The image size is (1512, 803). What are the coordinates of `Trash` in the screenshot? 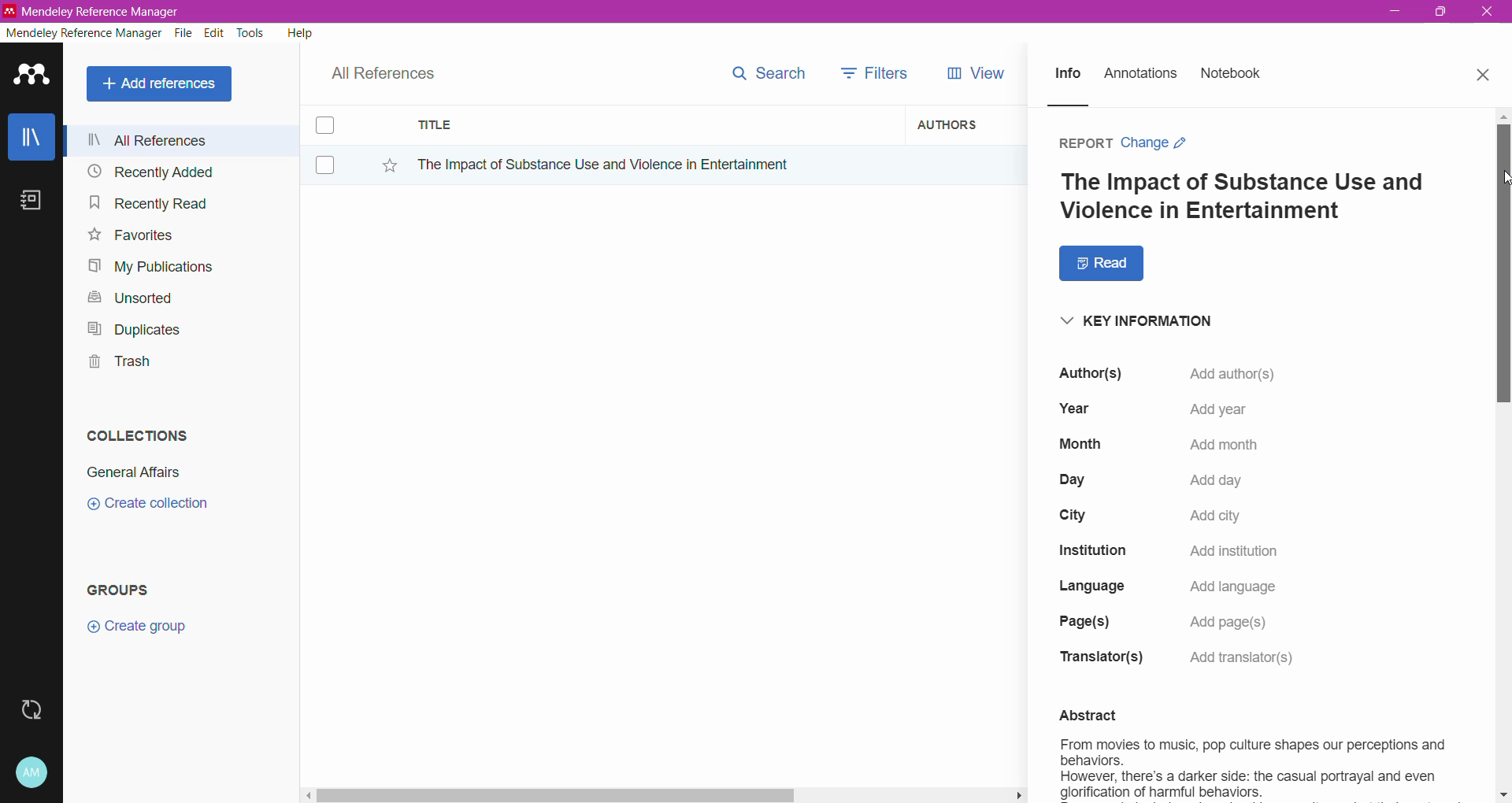 It's located at (115, 364).